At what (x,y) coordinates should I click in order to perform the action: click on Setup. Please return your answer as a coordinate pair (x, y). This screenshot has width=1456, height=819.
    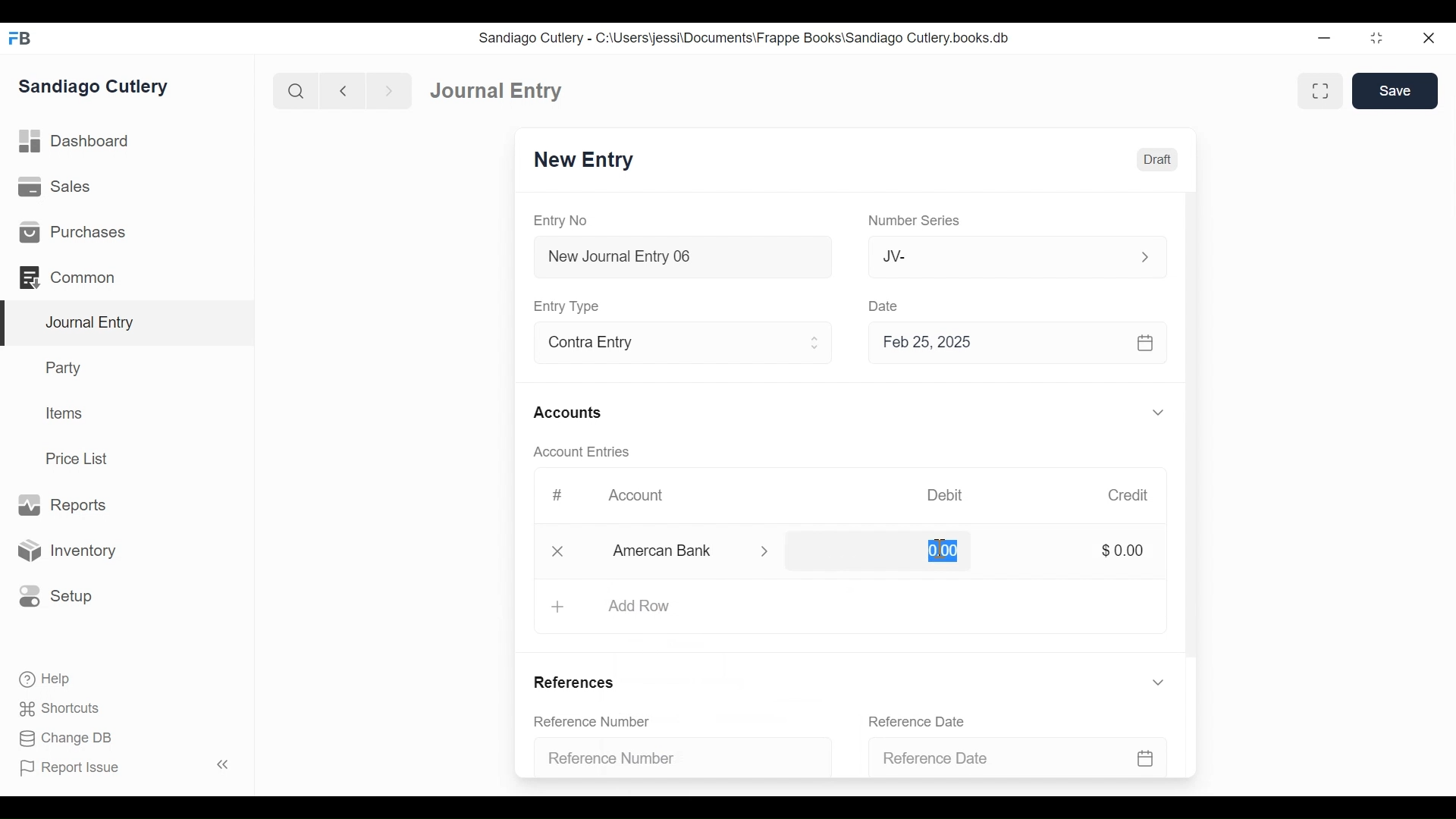
    Looking at the image, I should click on (52, 595).